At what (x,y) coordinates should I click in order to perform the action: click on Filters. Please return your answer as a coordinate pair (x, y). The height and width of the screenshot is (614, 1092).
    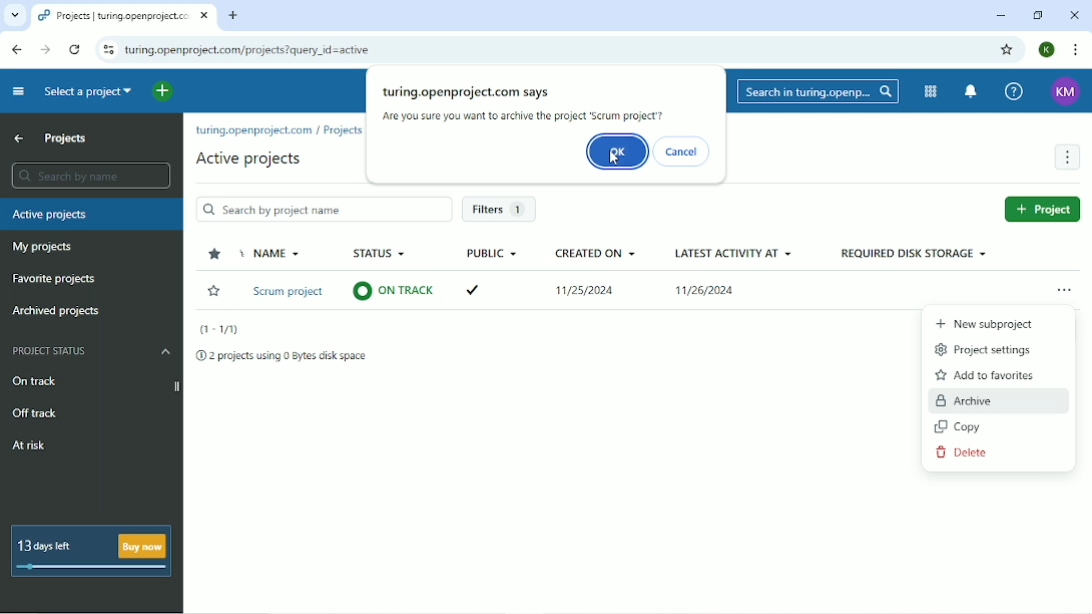
    Looking at the image, I should click on (498, 210).